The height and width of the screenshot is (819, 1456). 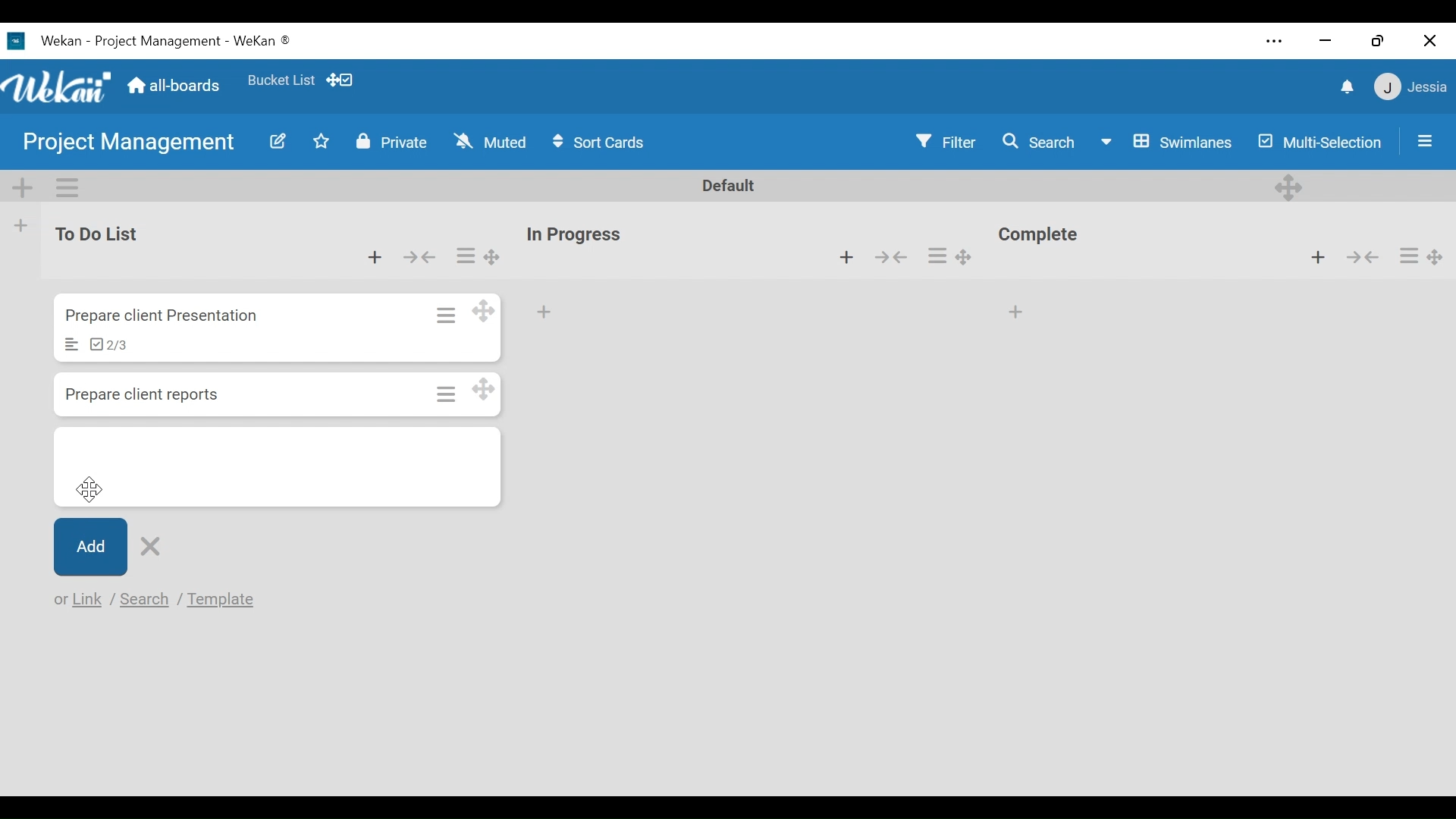 What do you see at coordinates (372, 255) in the screenshot?
I see `Add card to top of the list` at bounding box center [372, 255].